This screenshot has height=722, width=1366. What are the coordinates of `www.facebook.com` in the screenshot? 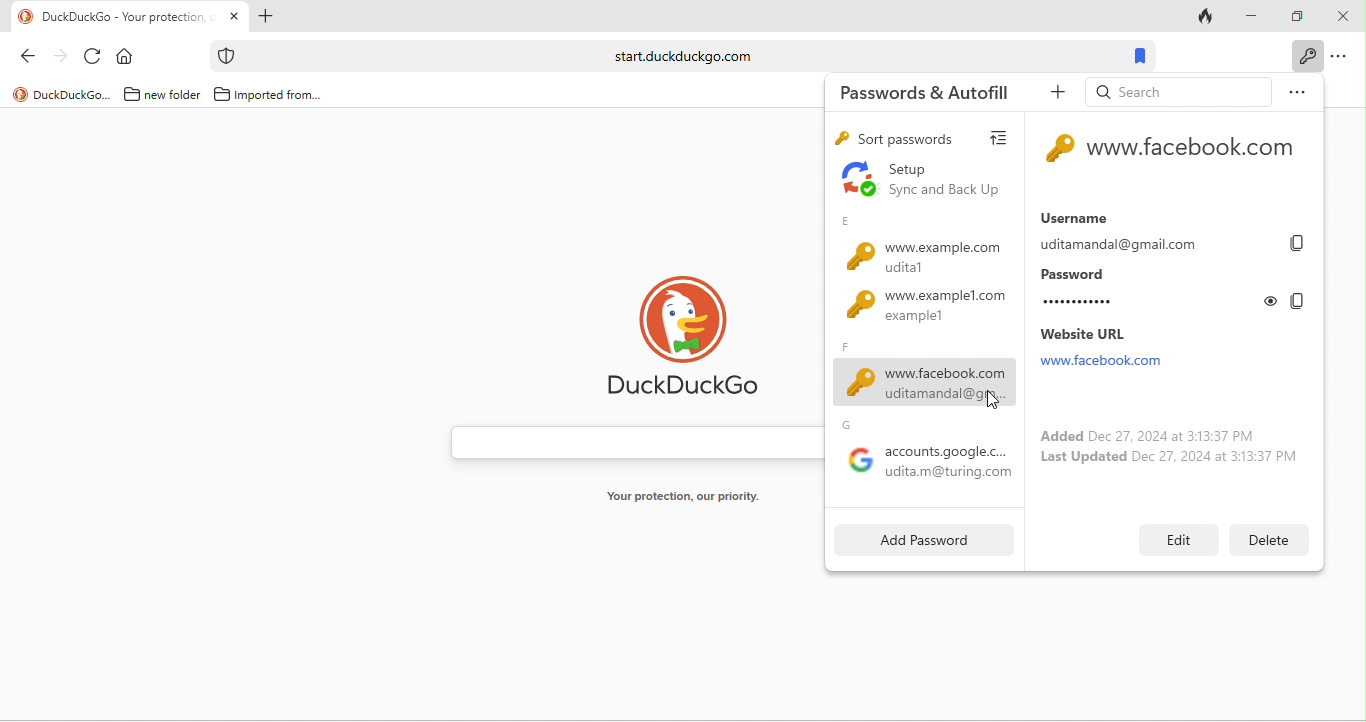 It's located at (1195, 152).